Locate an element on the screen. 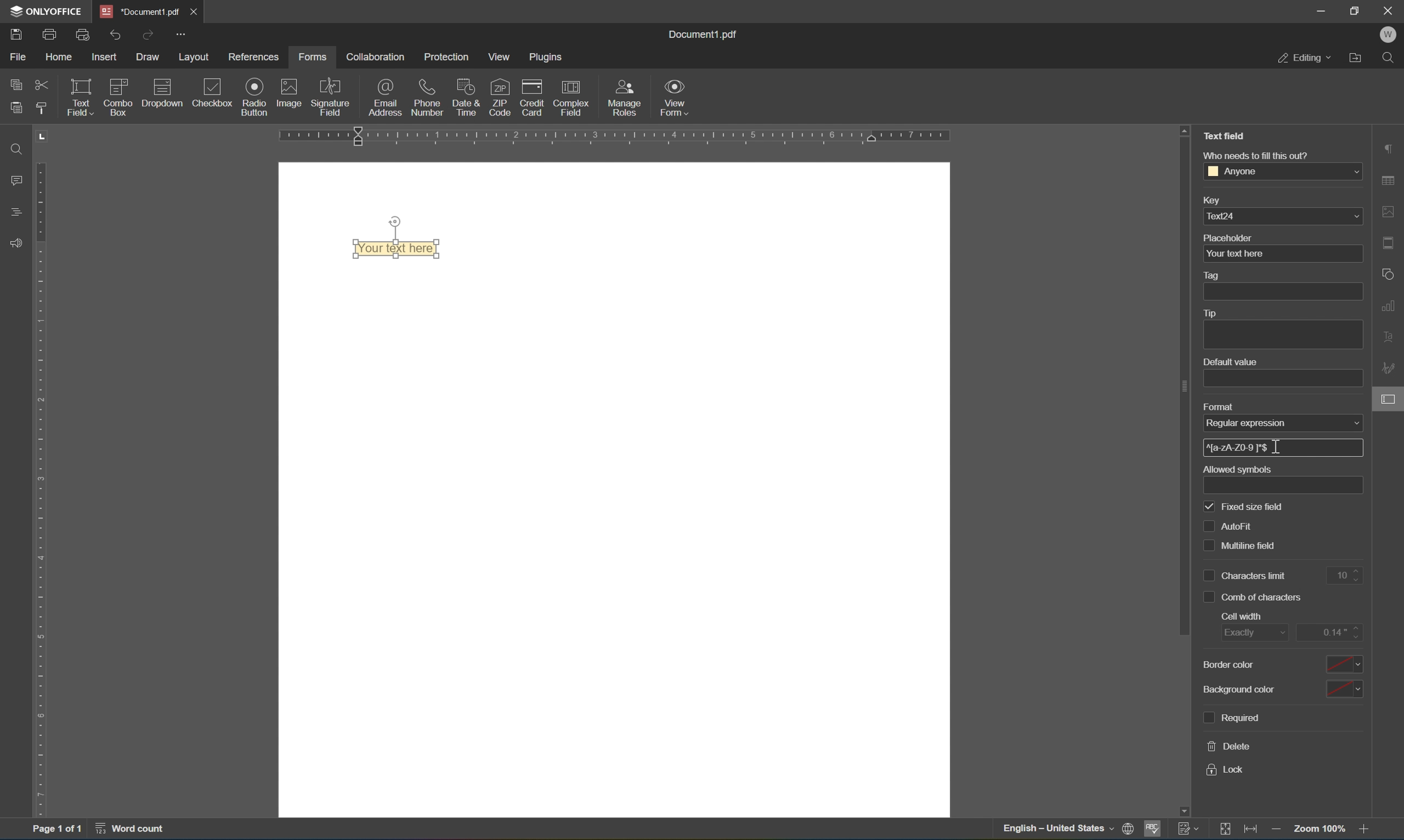 The width and height of the screenshot is (1404, 840). text24 is located at coordinates (1283, 216).